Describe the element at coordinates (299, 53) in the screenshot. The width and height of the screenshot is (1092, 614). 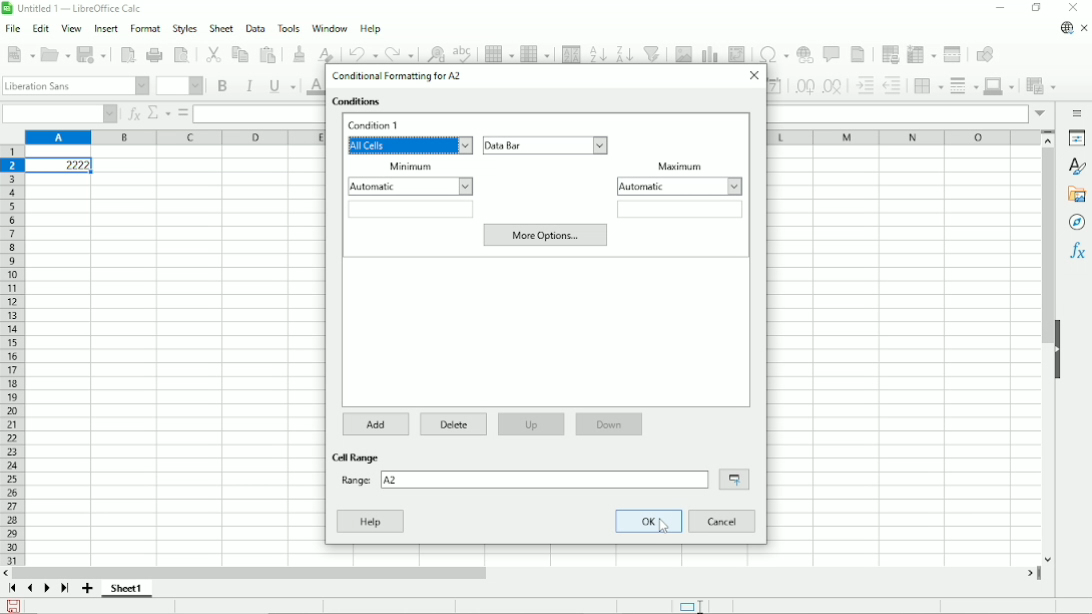
I see `Clone formatting` at that location.